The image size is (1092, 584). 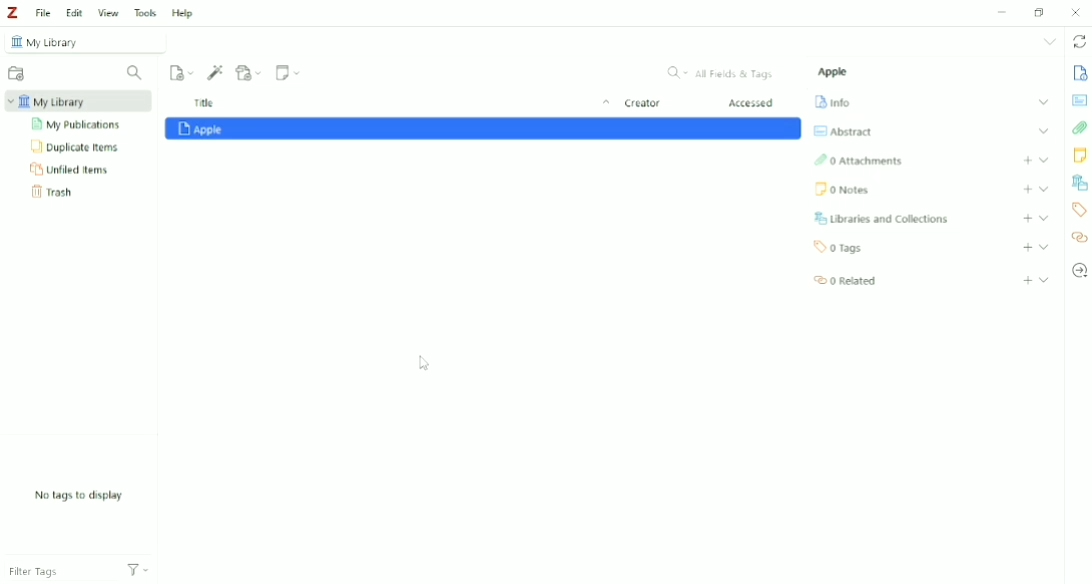 What do you see at coordinates (1027, 160) in the screenshot?
I see `Add` at bounding box center [1027, 160].